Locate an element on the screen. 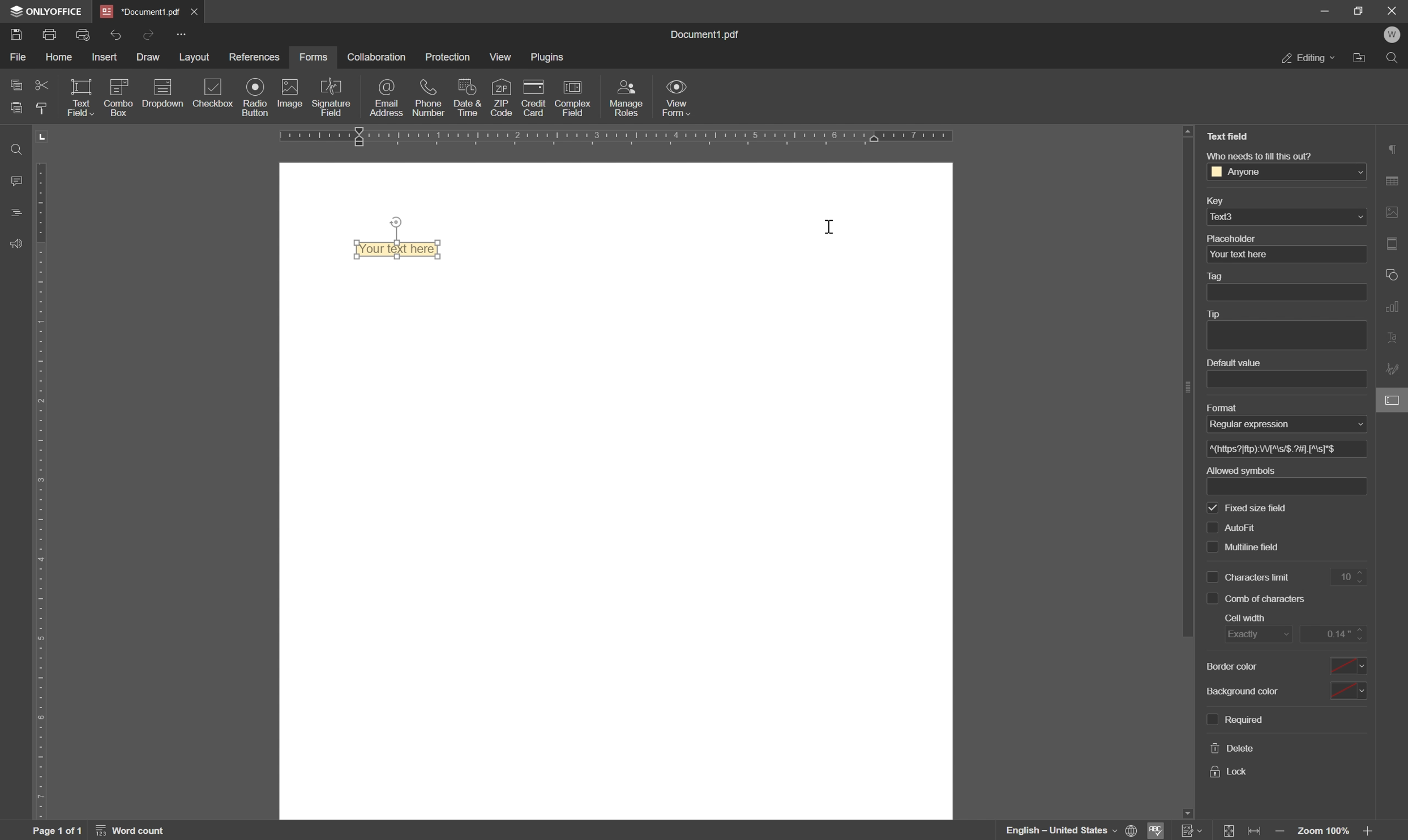  auto fill is located at coordinates (1260, 505).